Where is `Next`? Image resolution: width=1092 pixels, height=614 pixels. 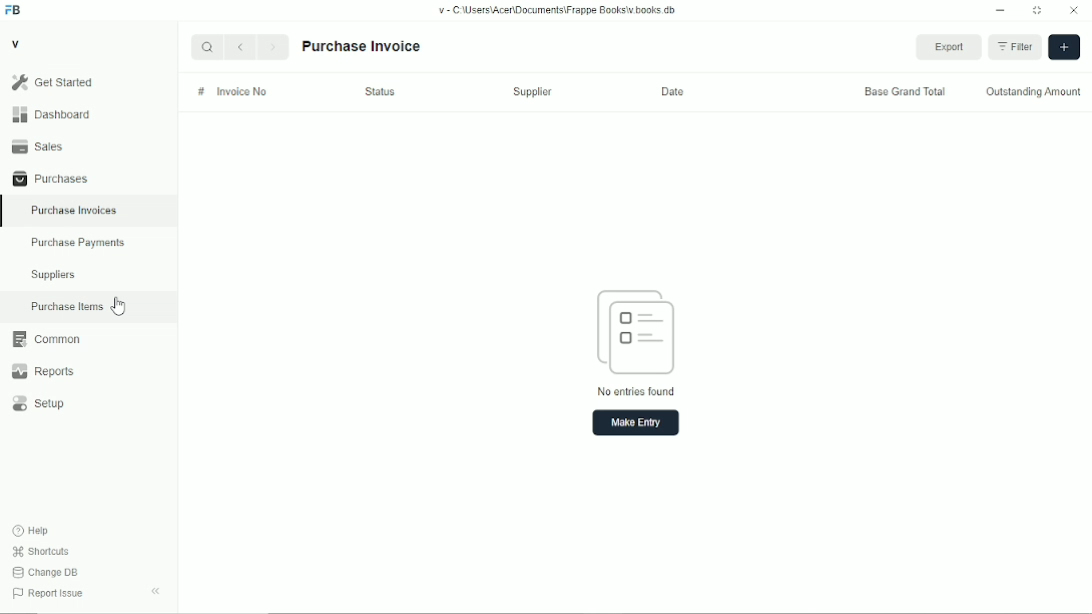
Next is located at coordinates (273, 46).